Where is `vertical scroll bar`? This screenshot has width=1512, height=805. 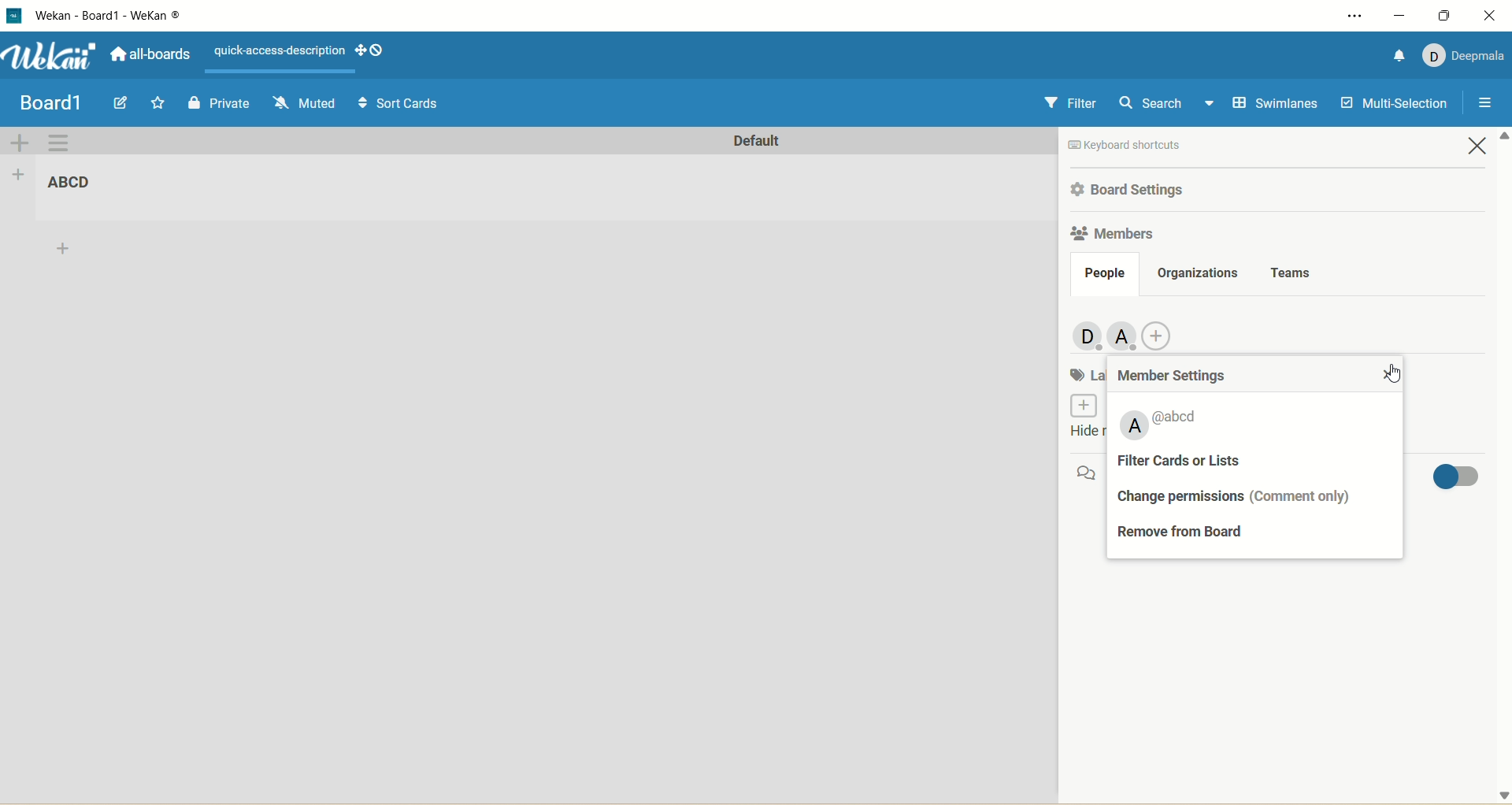 vertical scroll bar is located at coordinates (1503, 467).